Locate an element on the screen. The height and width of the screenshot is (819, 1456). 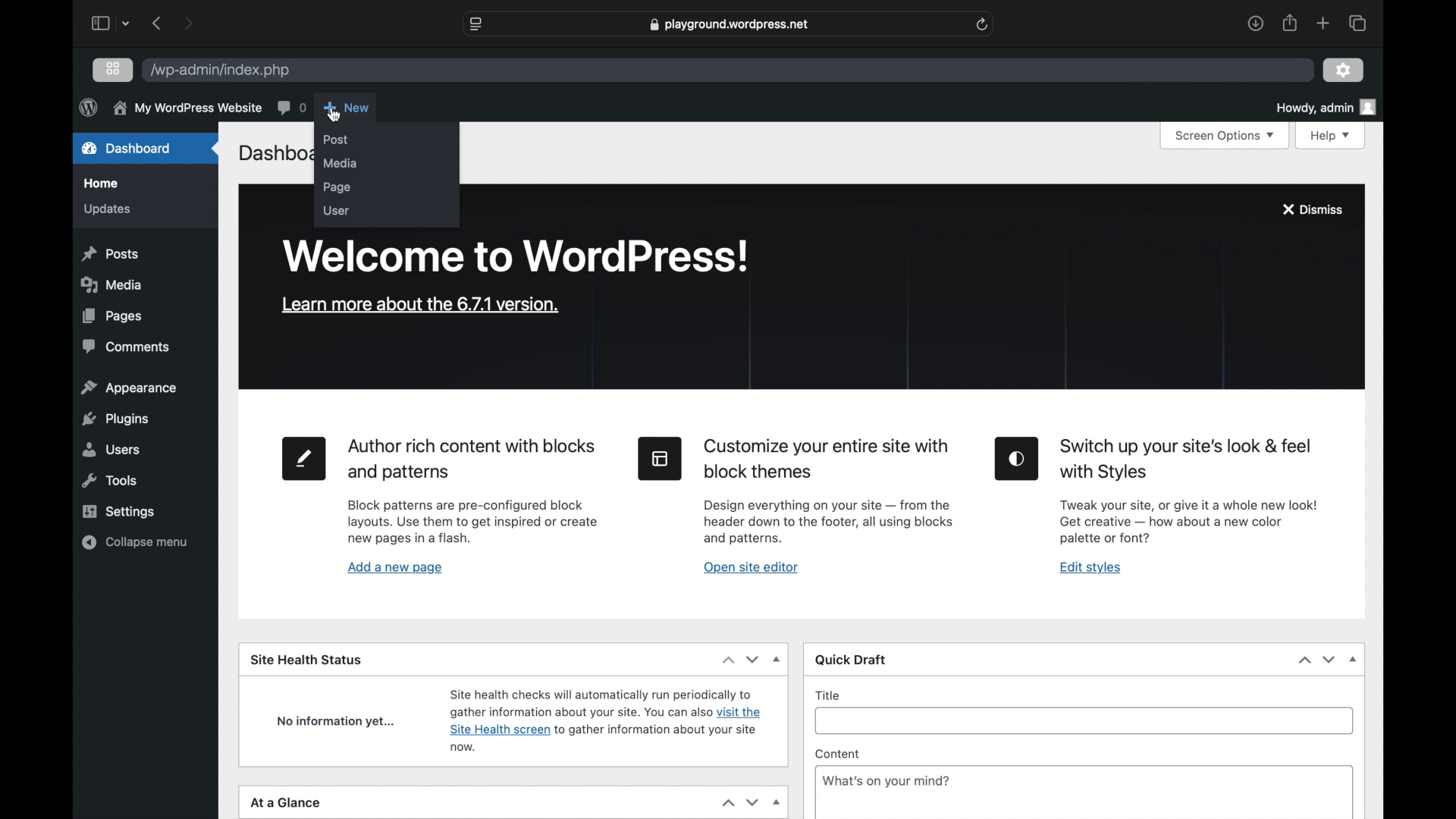
Switch up your site's look & feel
with Styles

Tweak your site, or give it a whole new look!
Get creative — how about a new color
palette or font? is located at coordinates (1198, 494).